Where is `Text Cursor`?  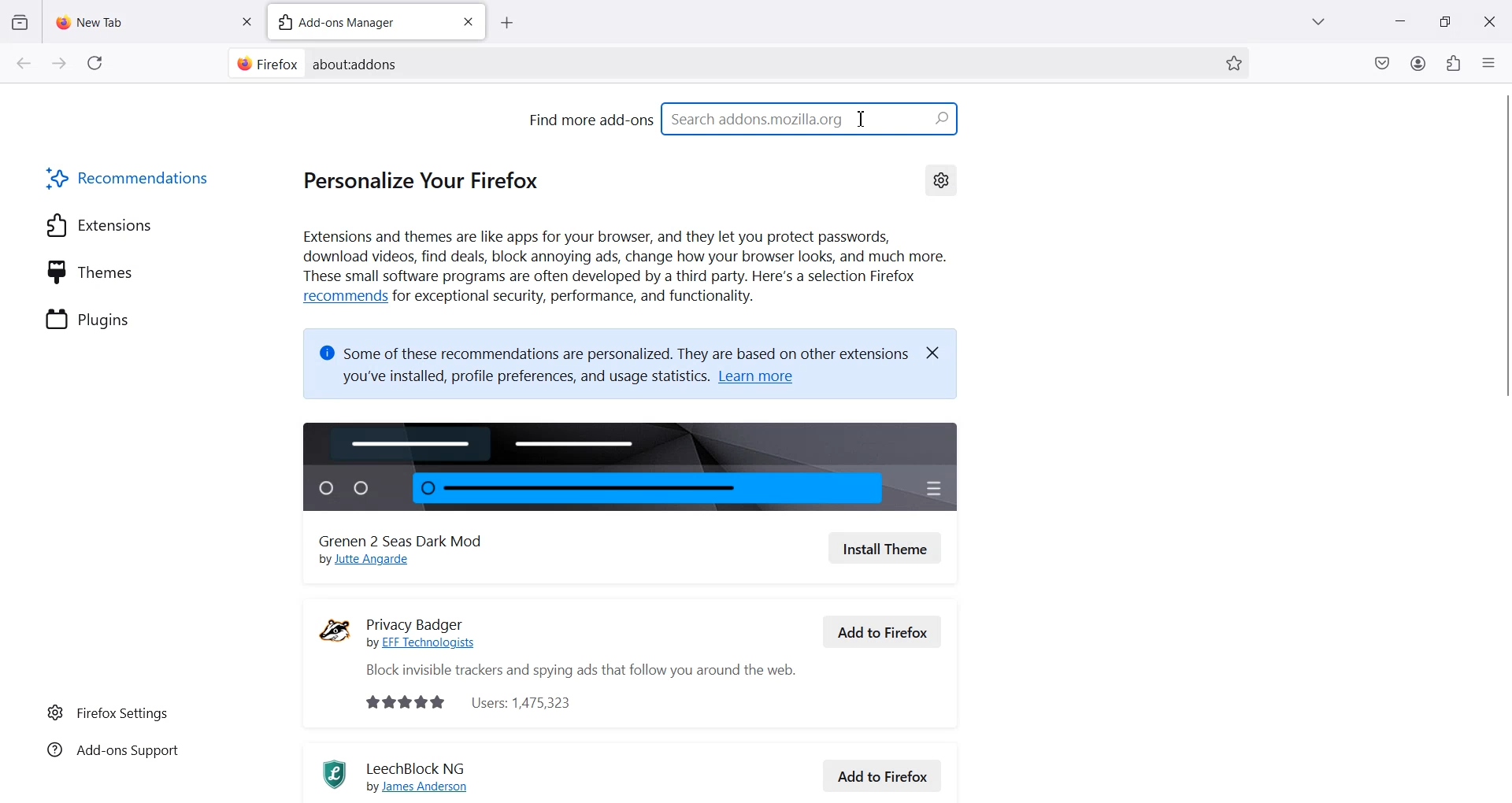
Text Cursor is located at coordinates (862, 118).